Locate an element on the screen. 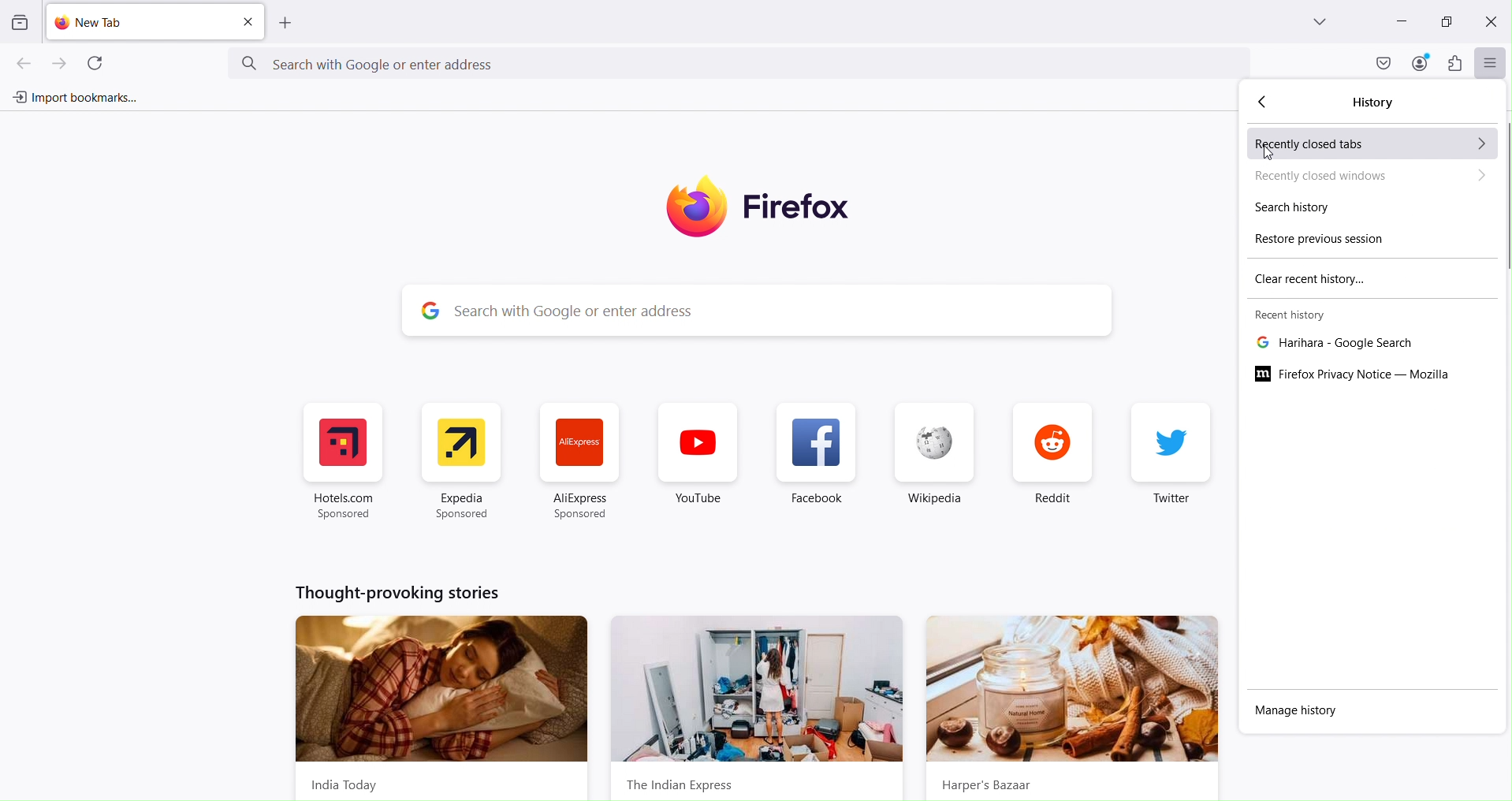 This screenshot has height=801, width=1512. Add new tab is located at coordinates (286, 24).